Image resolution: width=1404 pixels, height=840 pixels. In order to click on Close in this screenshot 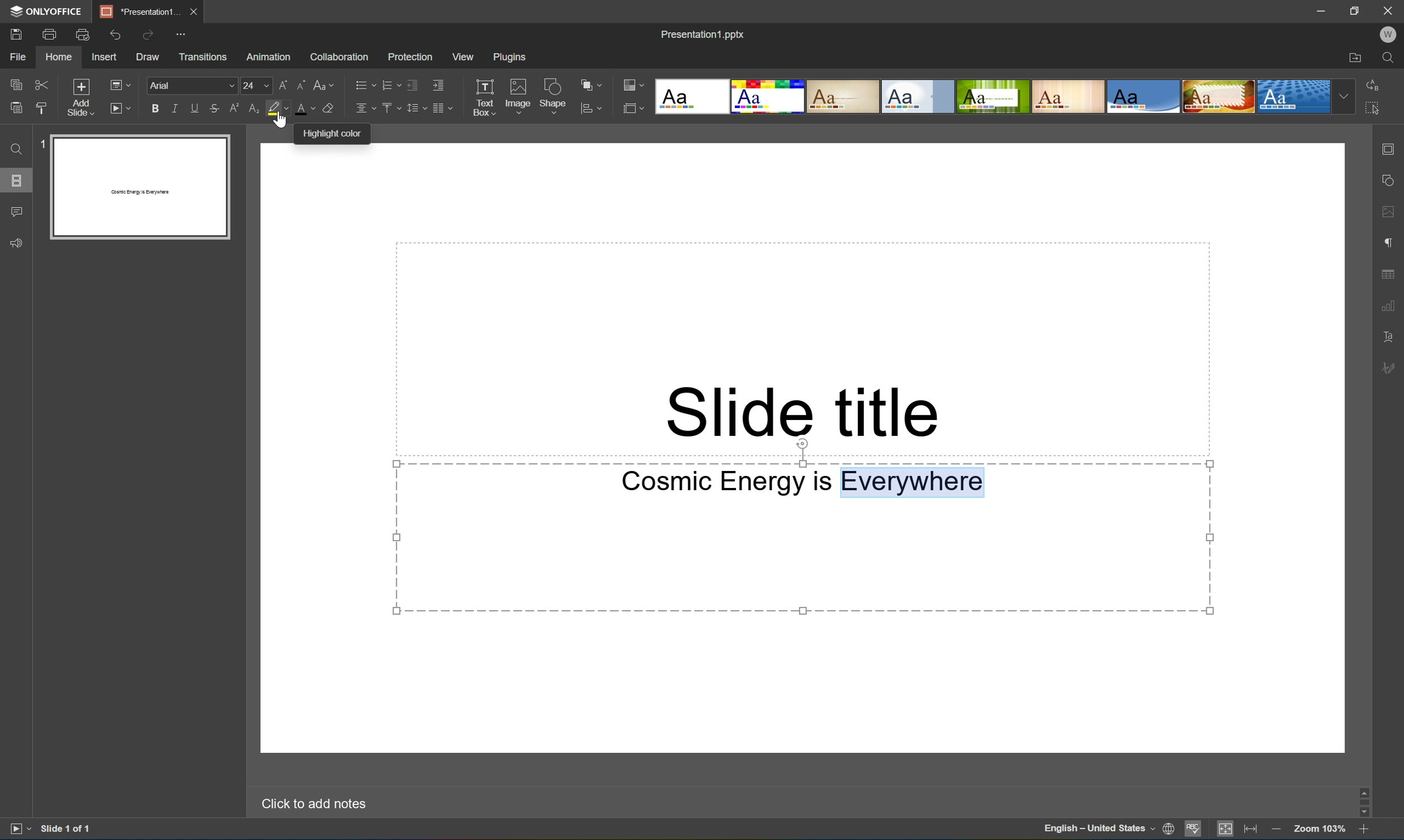, I will do `click(197, 10)`.